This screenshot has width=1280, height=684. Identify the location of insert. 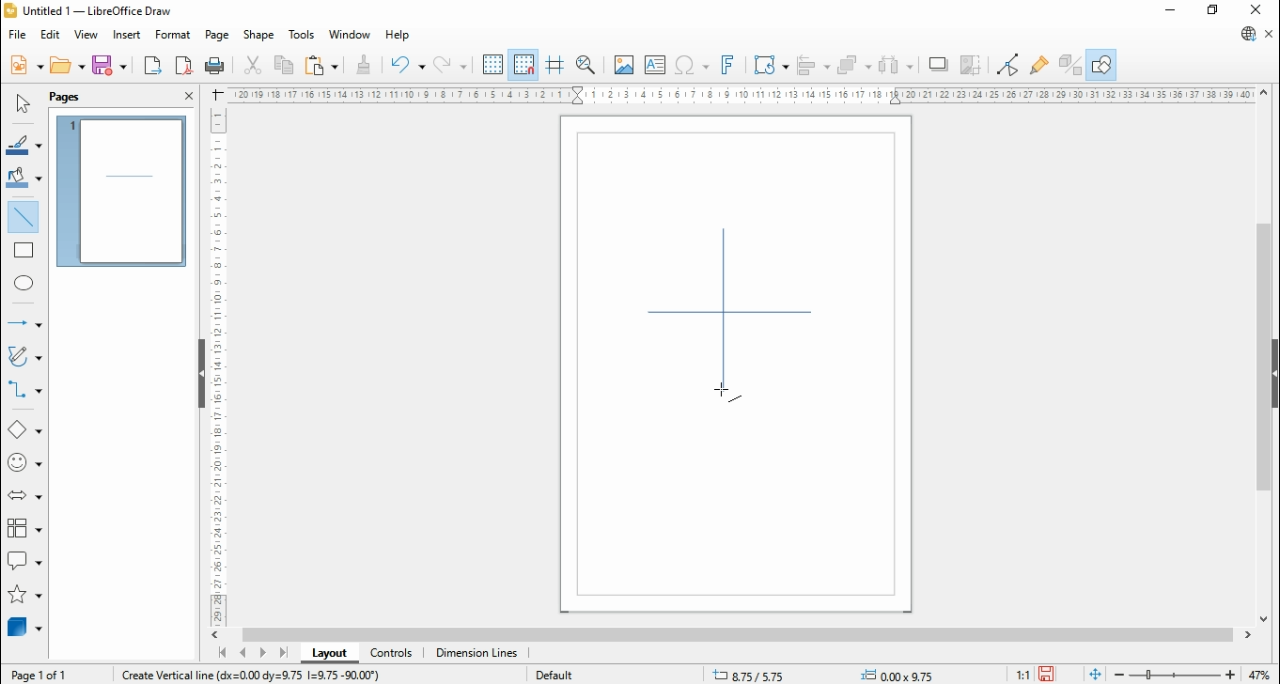
(126, 35).